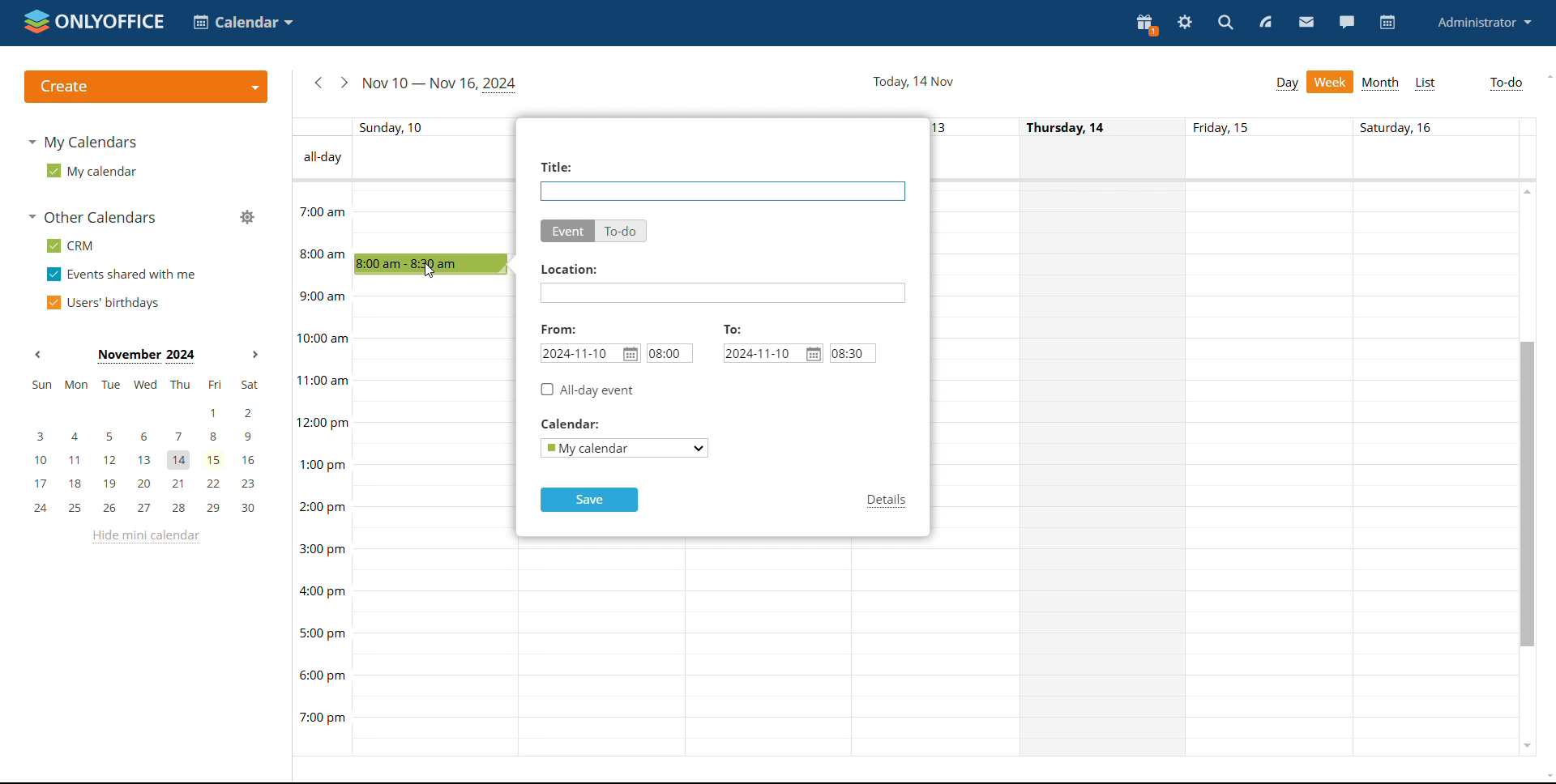 This screenshot has width=1556, height=784. What do you see at coordinates (854, 353) in the screenshot?
I see `end time set` at bounding box center [854, 353].